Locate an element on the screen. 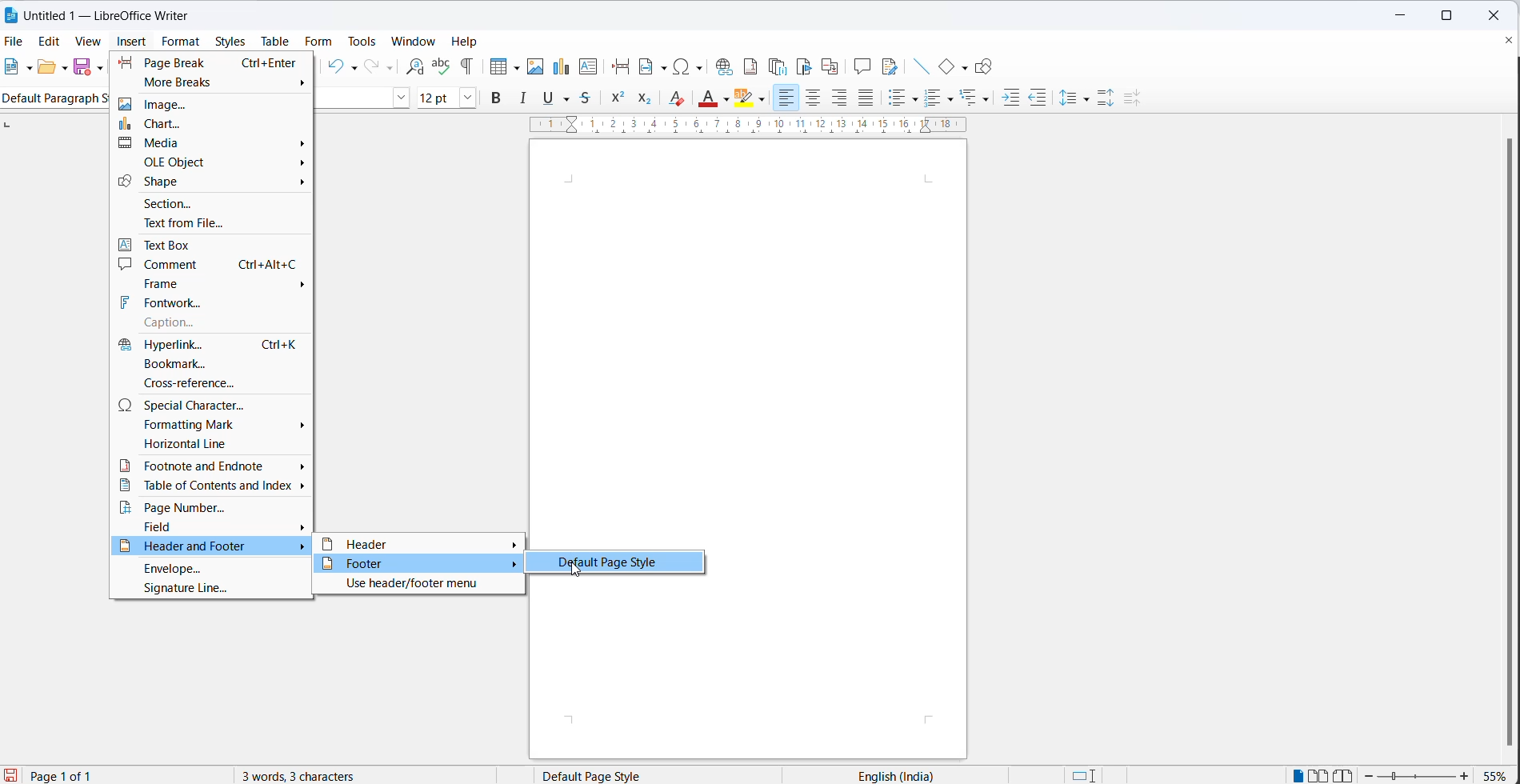 The height and width of the screenshot is (784, 1520). table of contents and index is located at coordinates (210, 486).